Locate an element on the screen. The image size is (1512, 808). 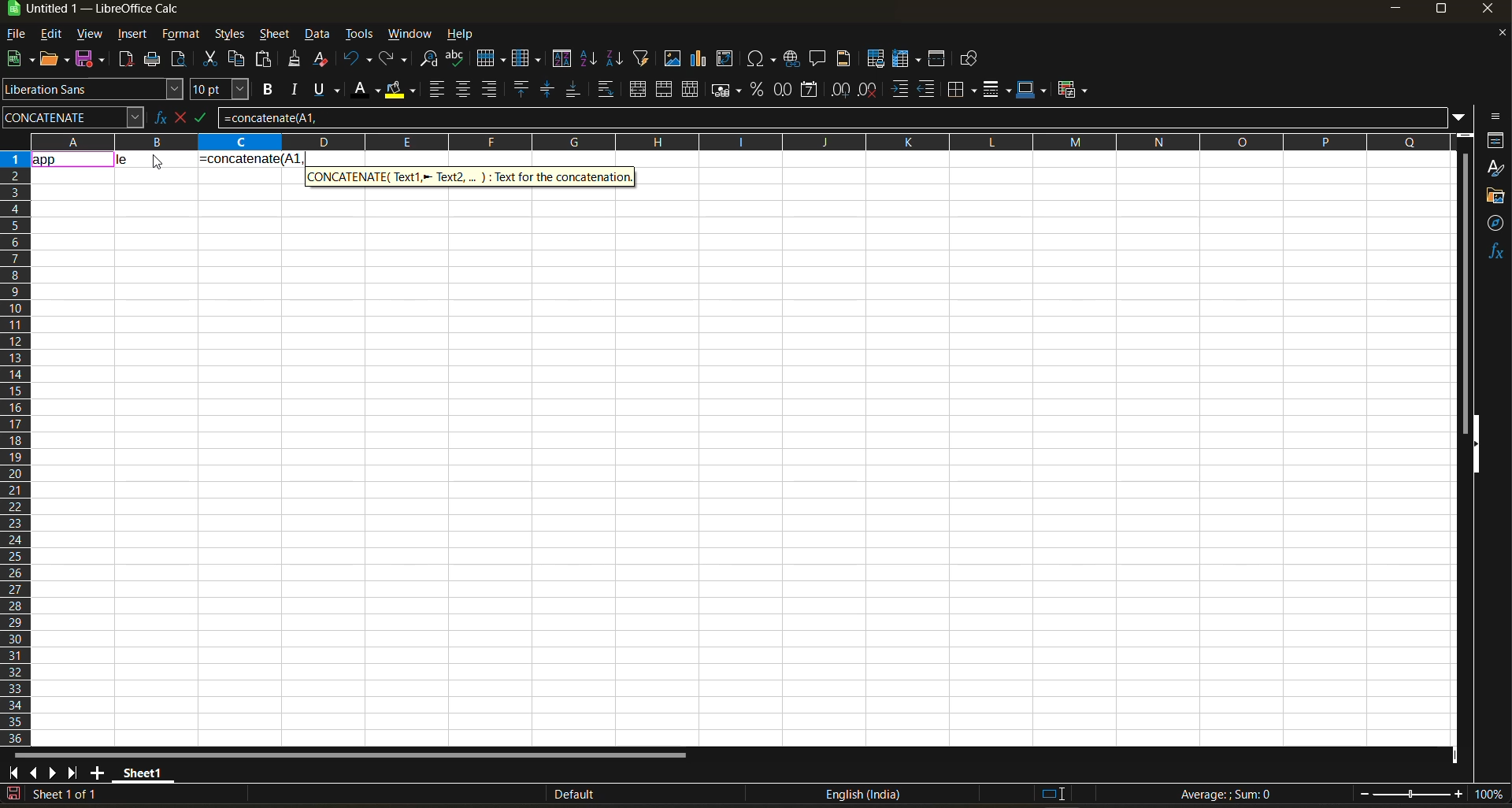
font size is located at coordinates (223, 91).